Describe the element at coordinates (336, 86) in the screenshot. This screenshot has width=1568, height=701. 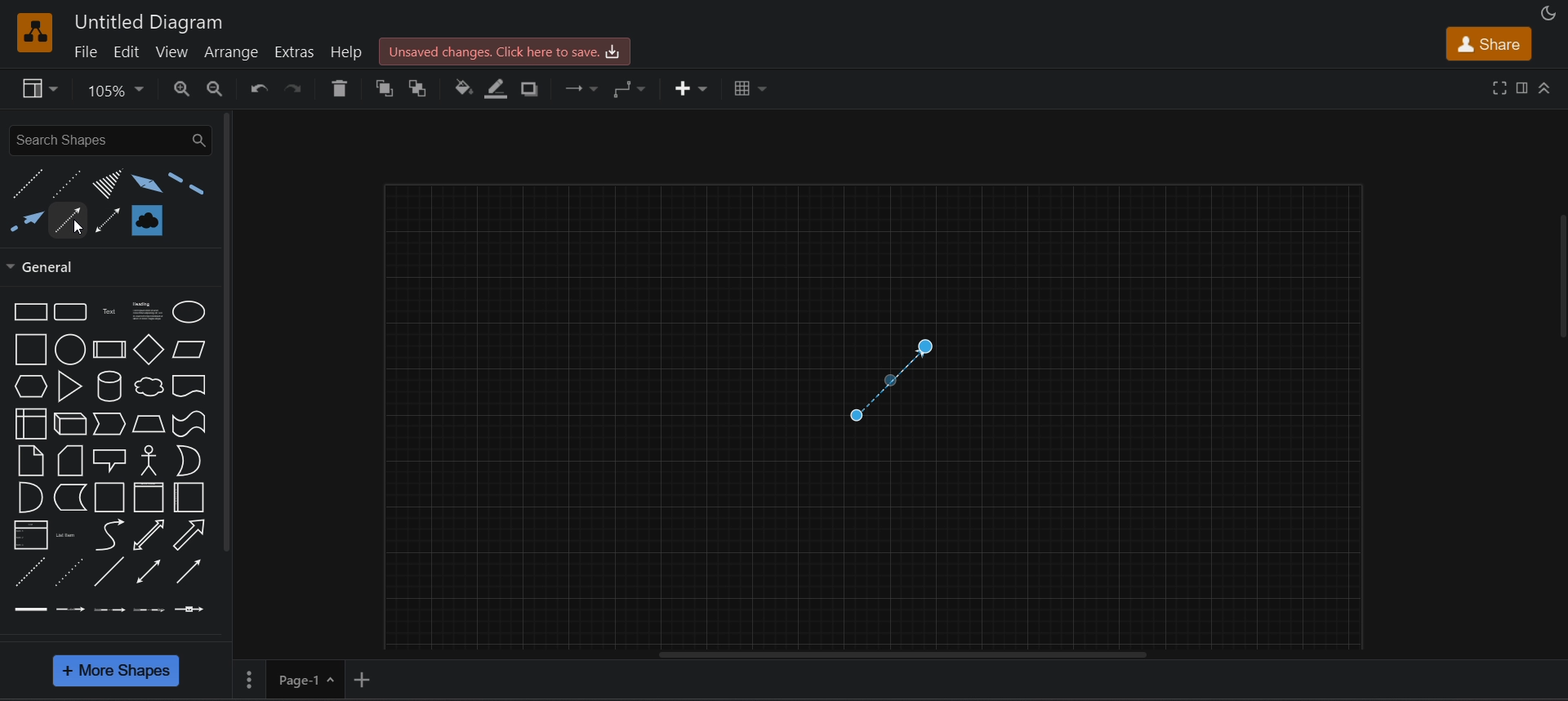
I see `delete` at that location.